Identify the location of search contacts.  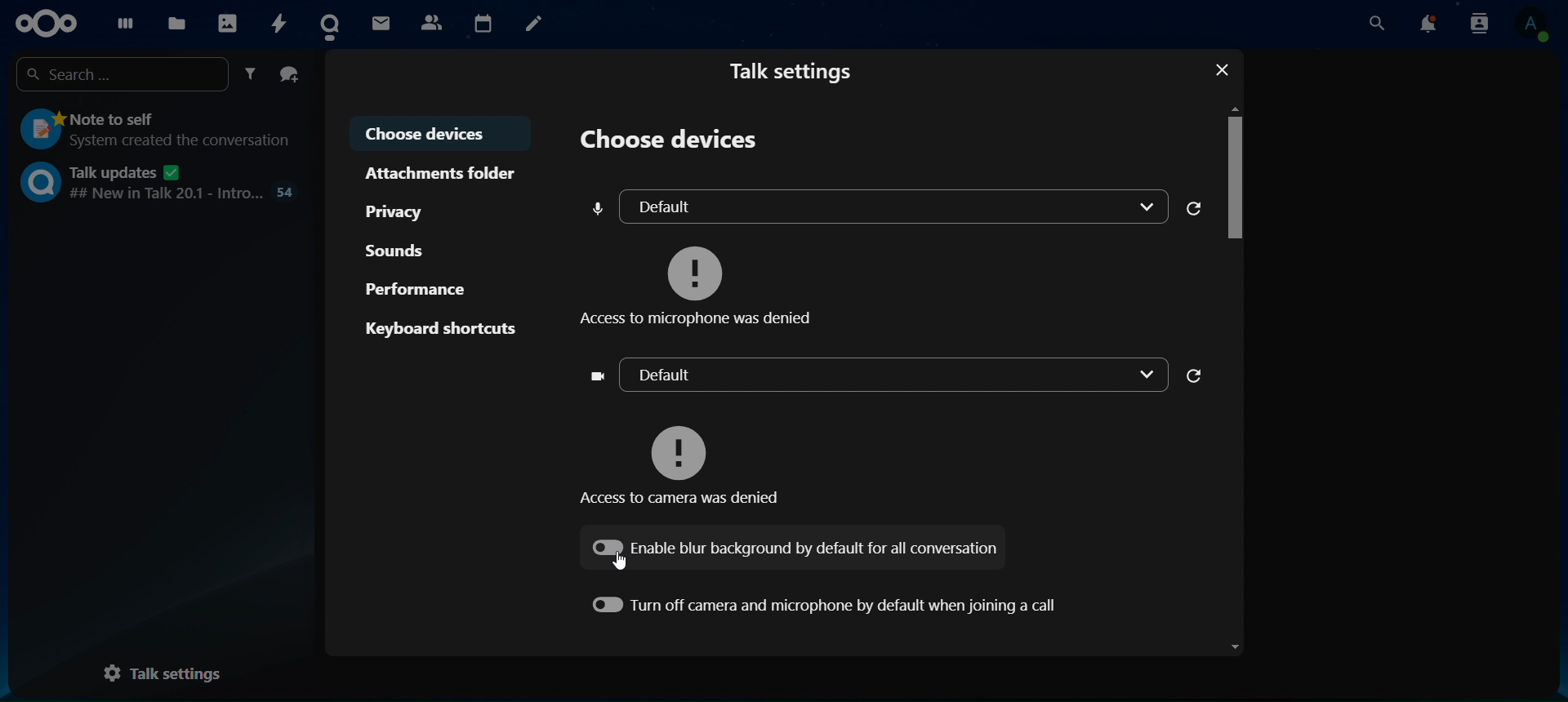
(1376, 23).